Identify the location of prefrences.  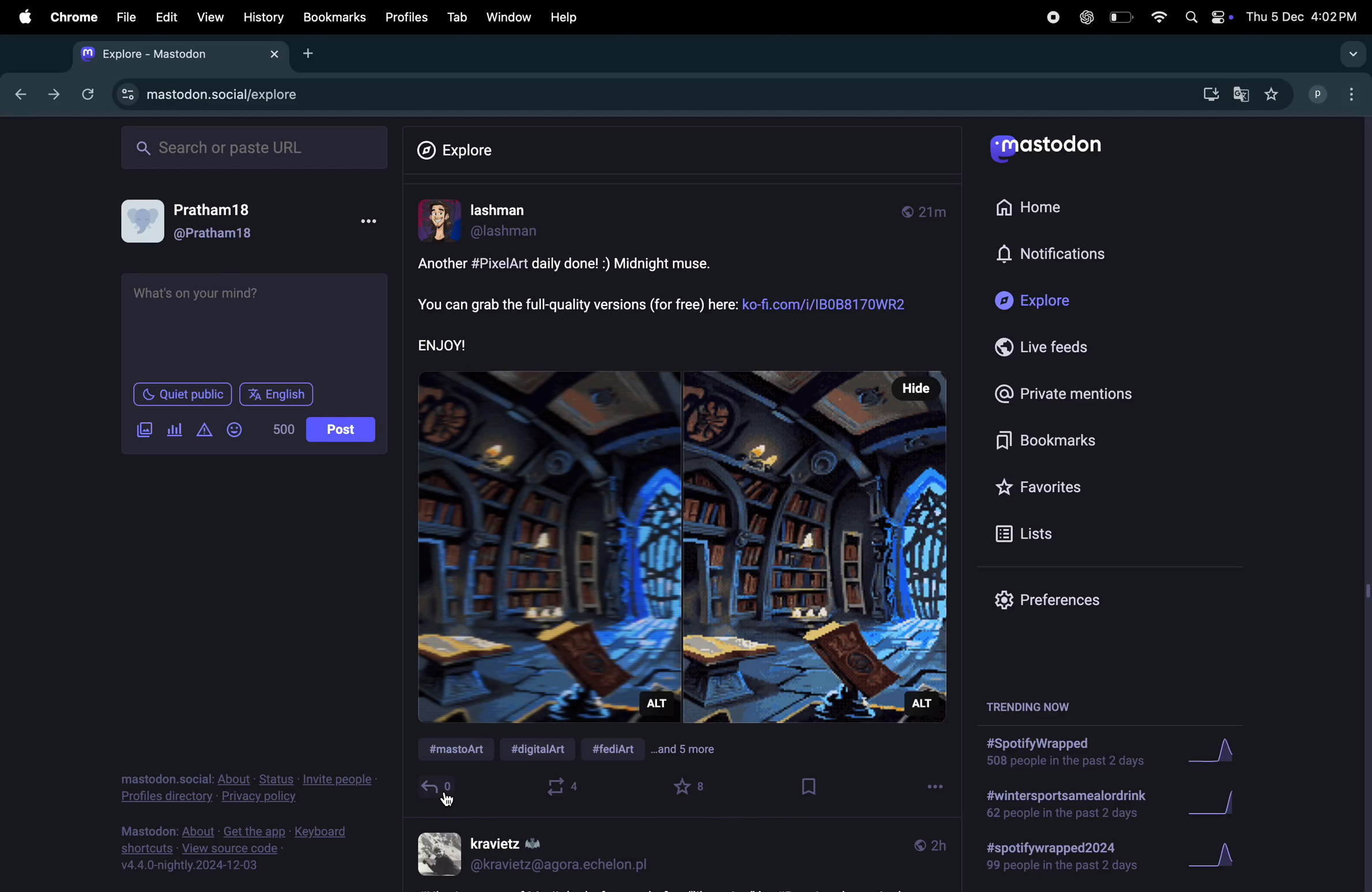
(1060, 599).